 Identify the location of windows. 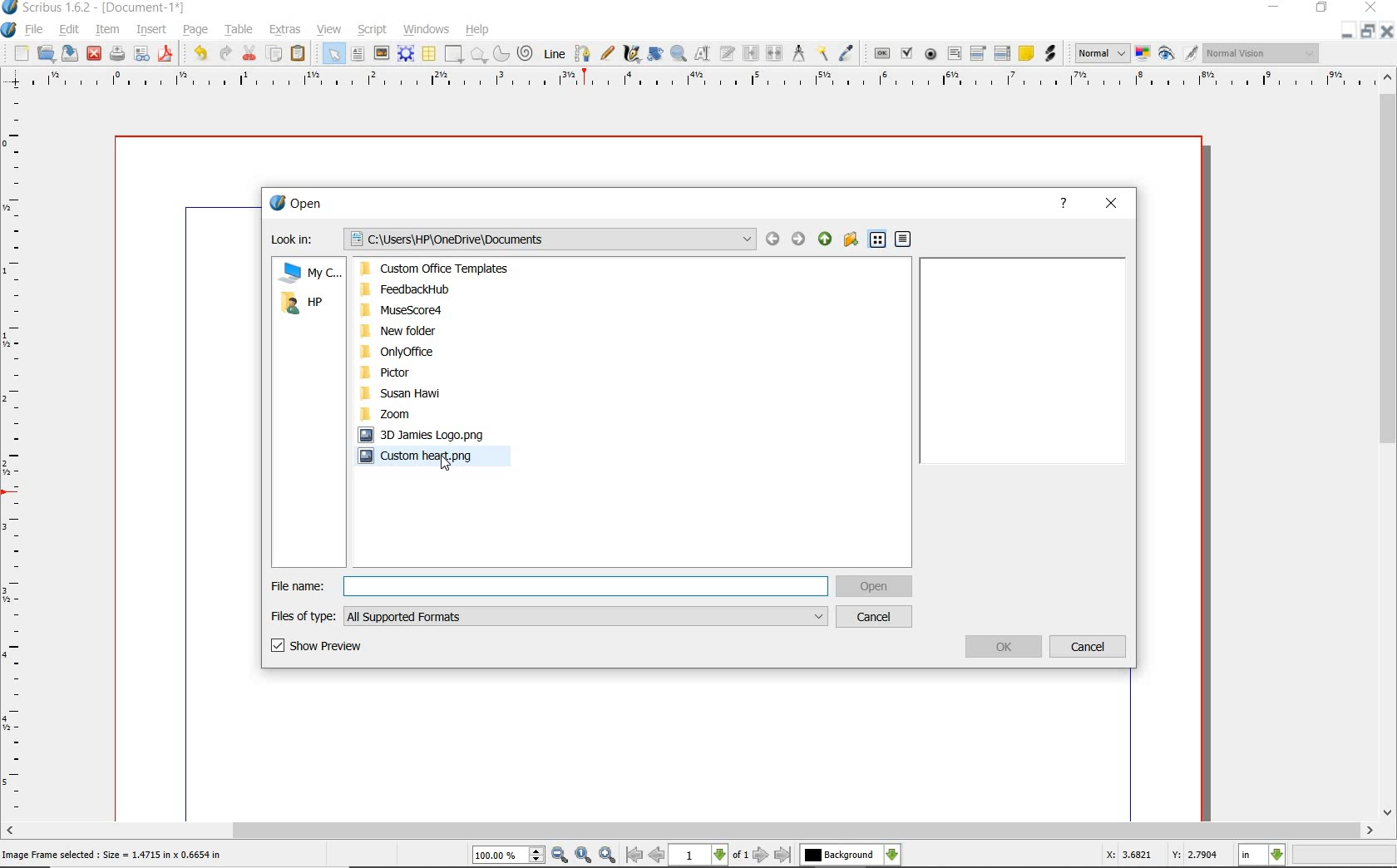
(426, 30).